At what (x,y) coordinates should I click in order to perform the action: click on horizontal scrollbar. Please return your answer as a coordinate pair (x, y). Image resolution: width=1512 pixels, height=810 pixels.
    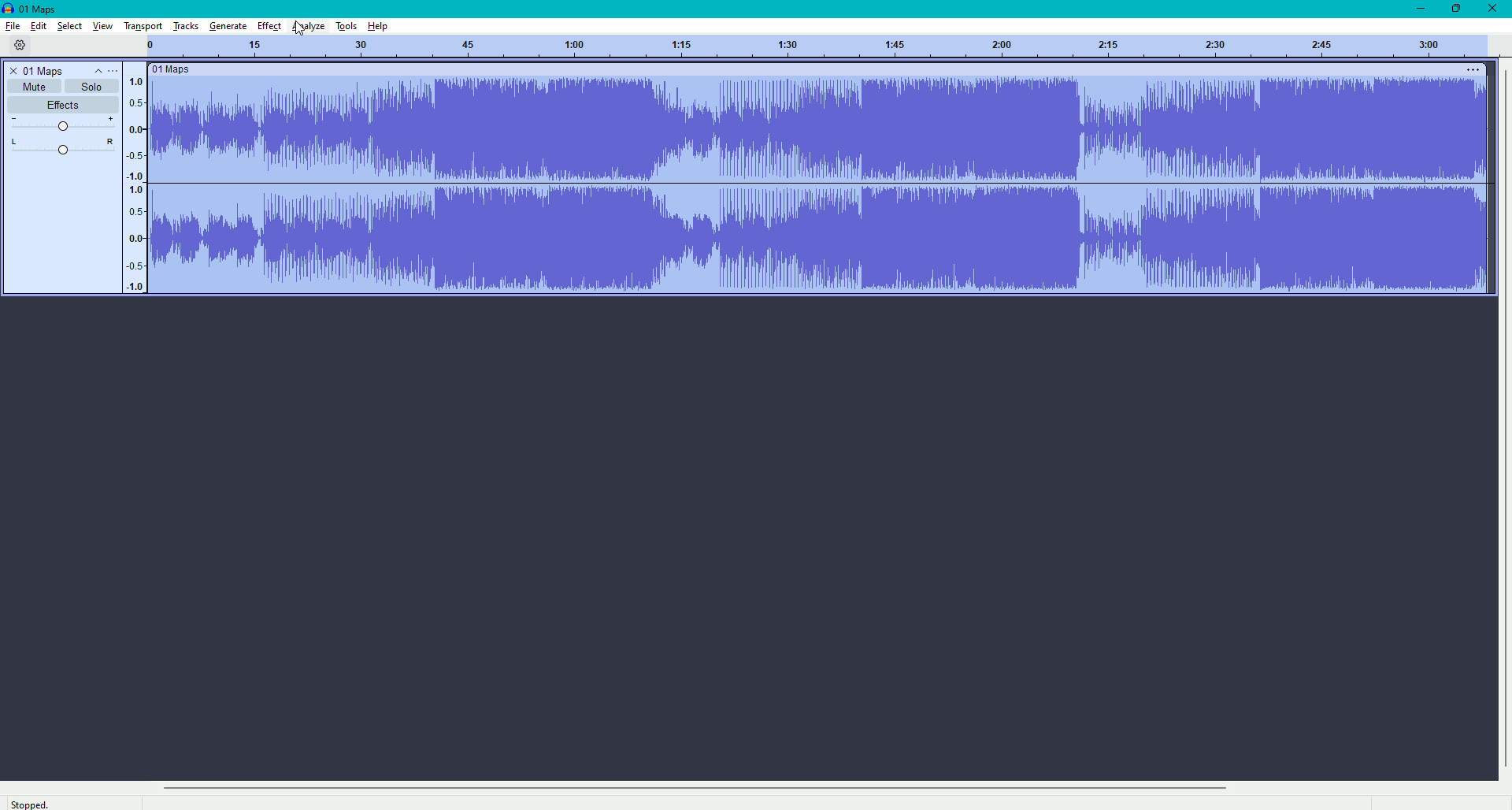
    Looking at the image, I should click on (694, 787).